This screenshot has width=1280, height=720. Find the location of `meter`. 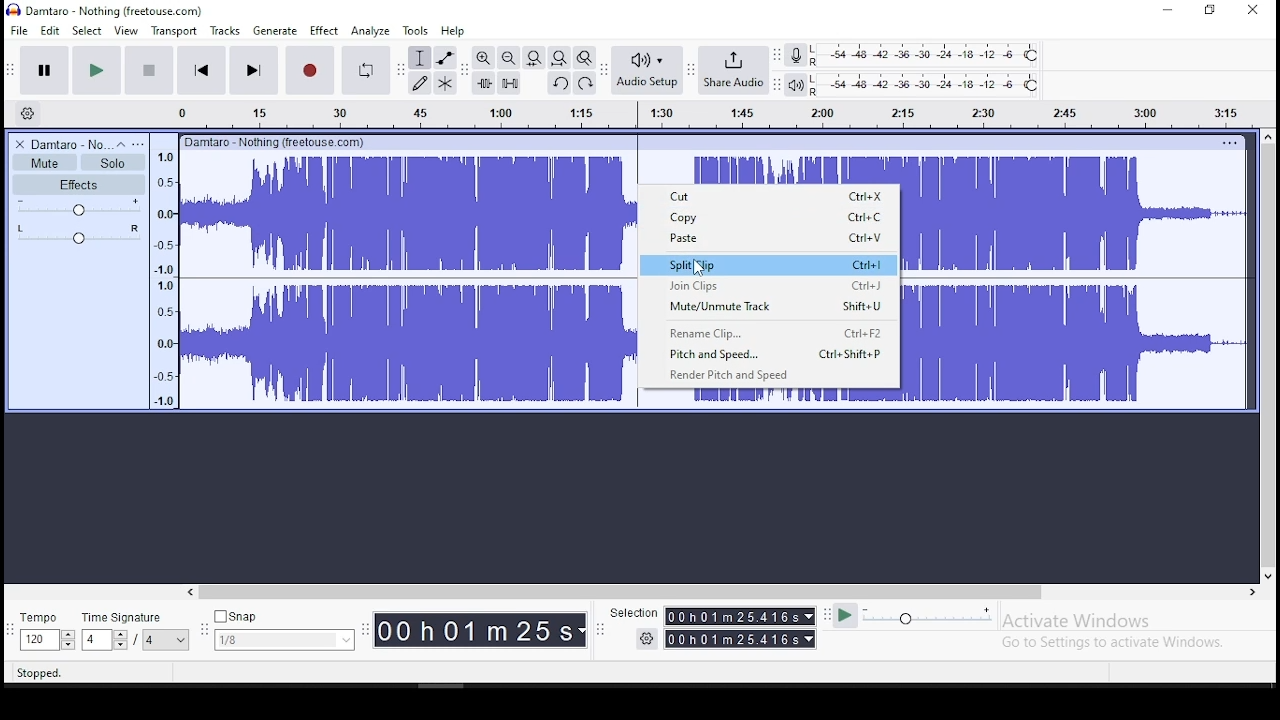

meter is located at coordinates (165, 280).